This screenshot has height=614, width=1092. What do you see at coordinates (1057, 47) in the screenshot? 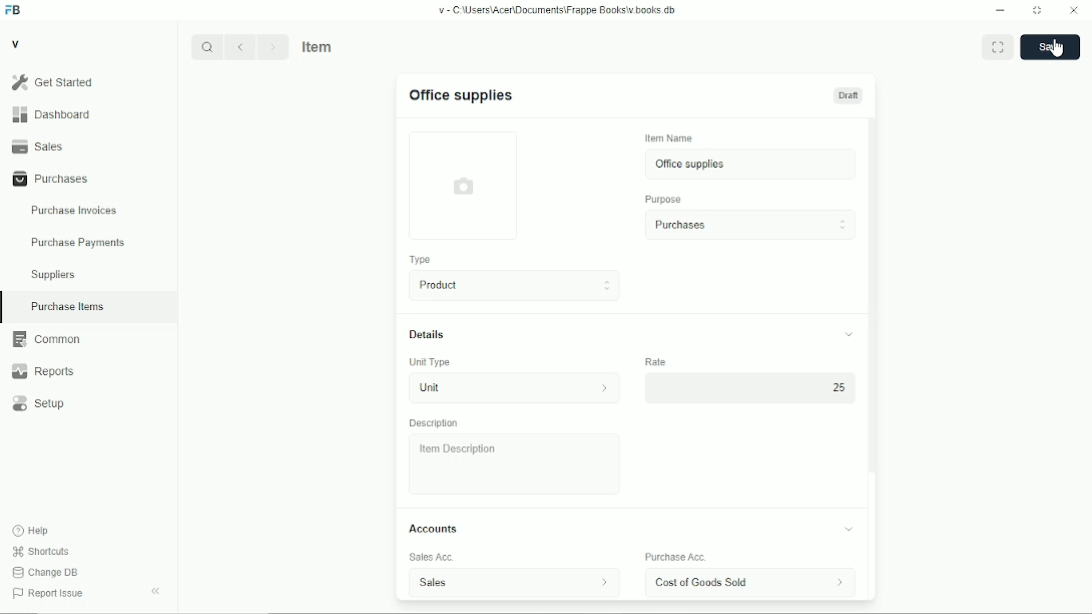
I see `cursor` at bounding box center [1057, 47].